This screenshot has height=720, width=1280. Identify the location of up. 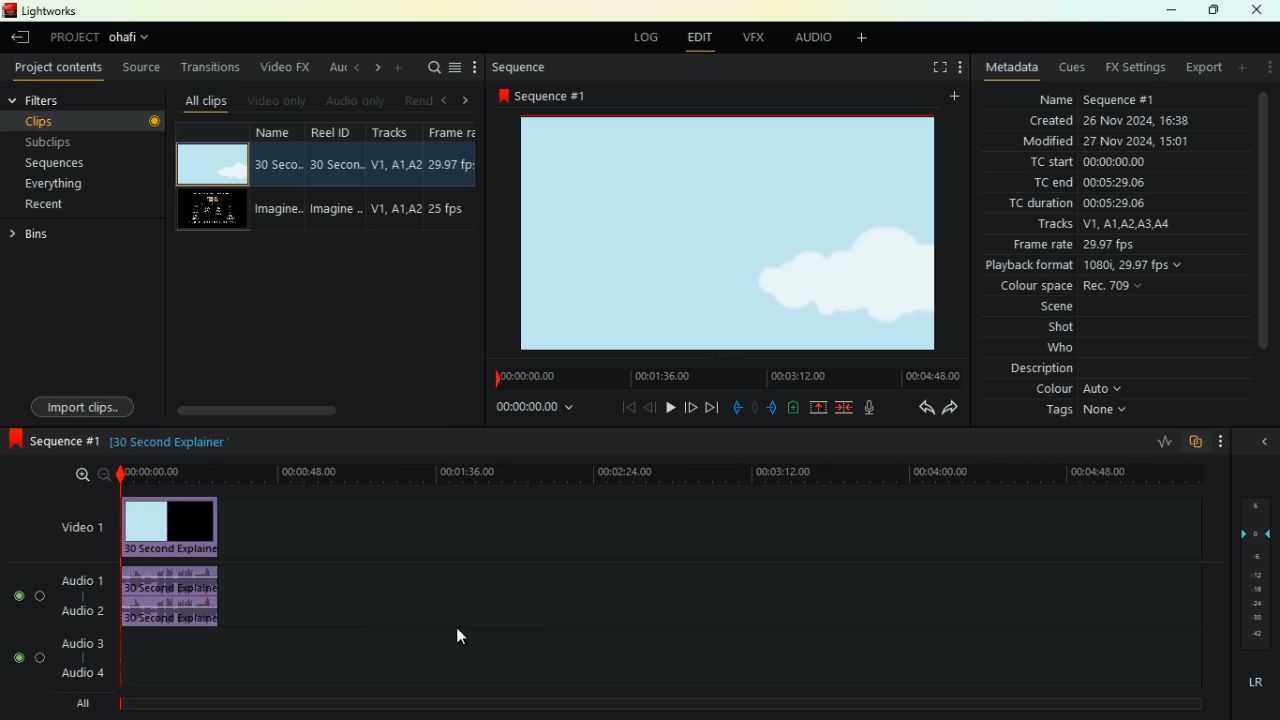
(815, 408).